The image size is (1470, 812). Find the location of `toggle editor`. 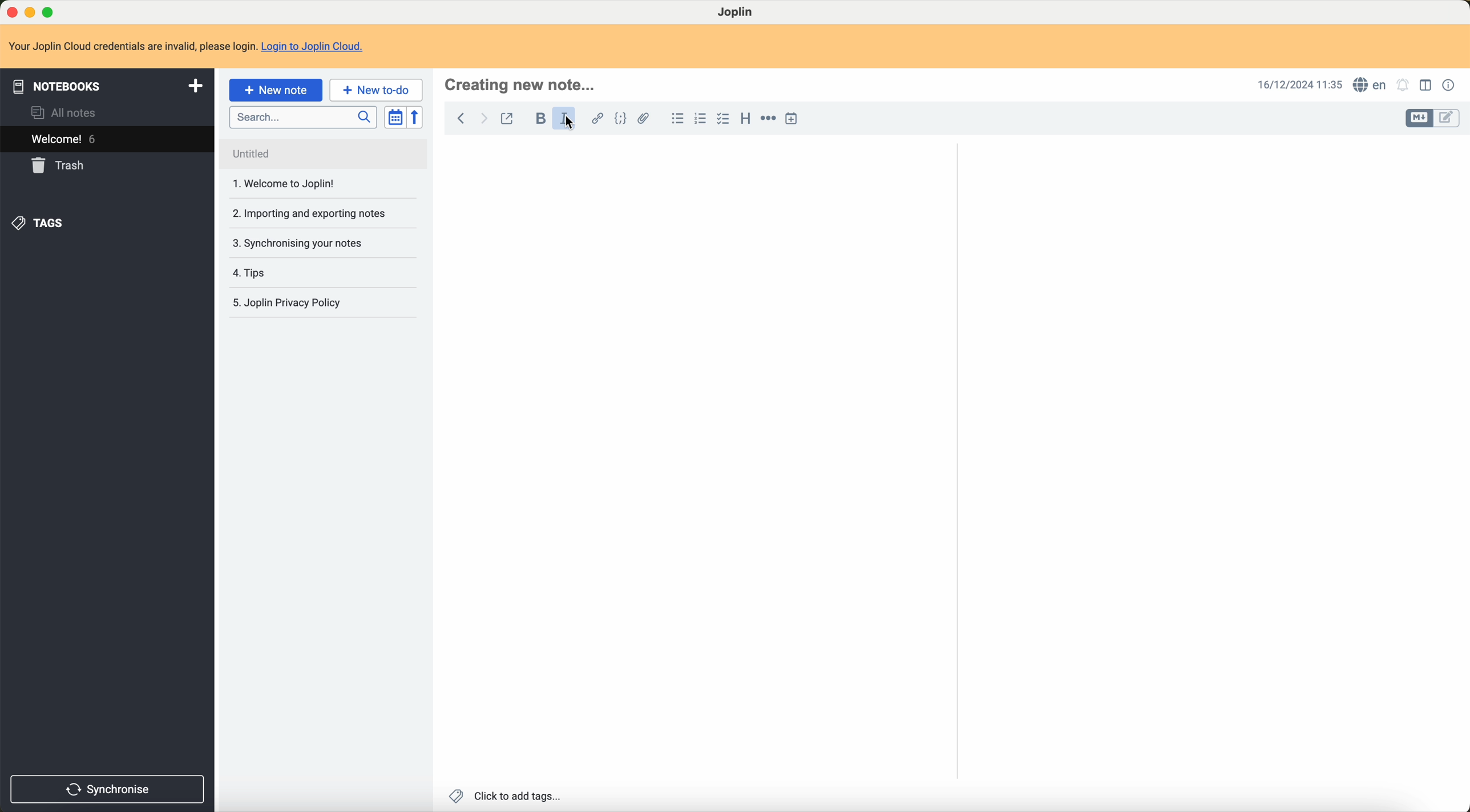

toggle editor is located at coordinates (1416, 118).